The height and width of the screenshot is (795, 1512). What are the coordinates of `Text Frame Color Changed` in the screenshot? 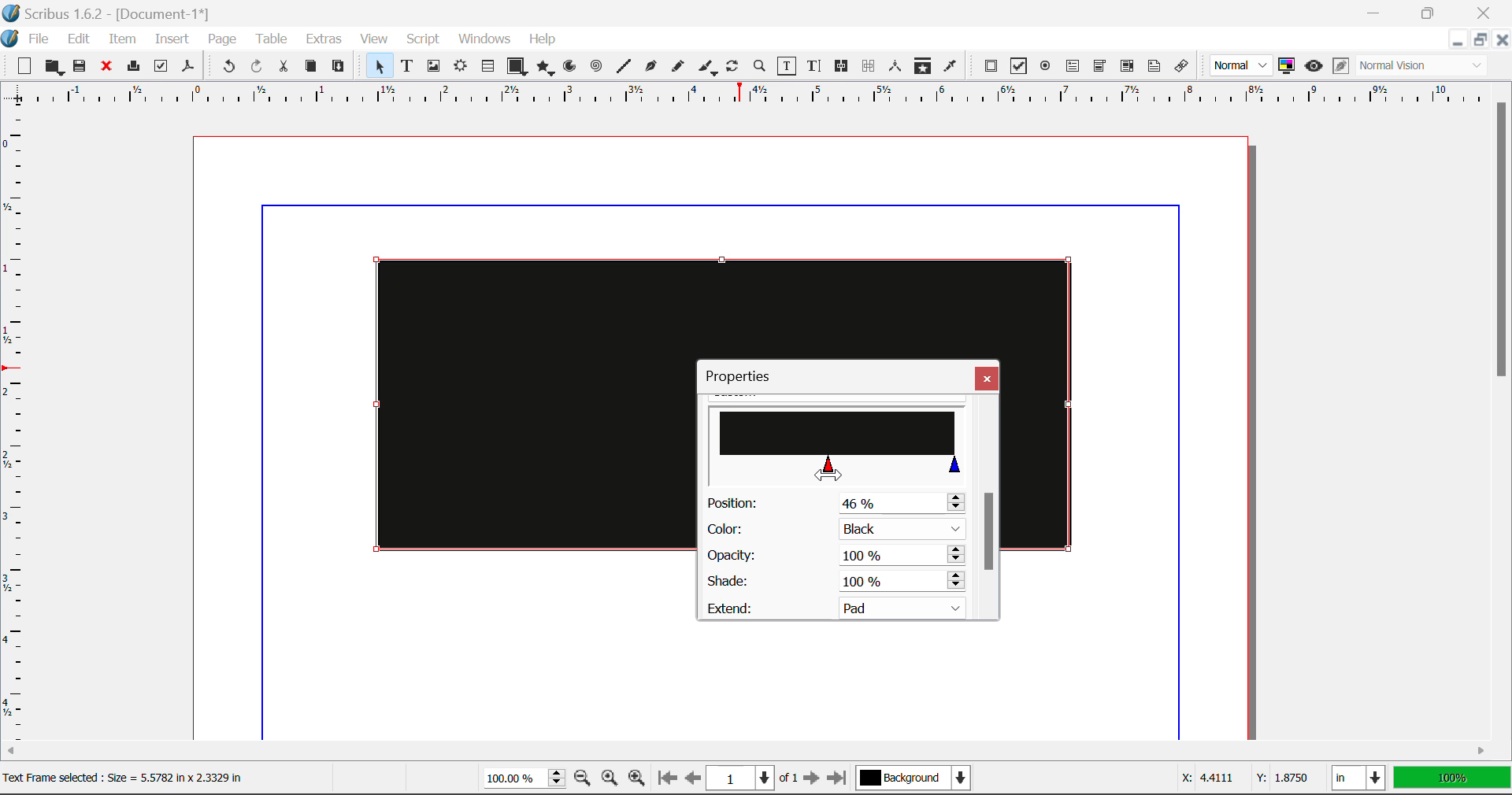 It's located at (510, 403).